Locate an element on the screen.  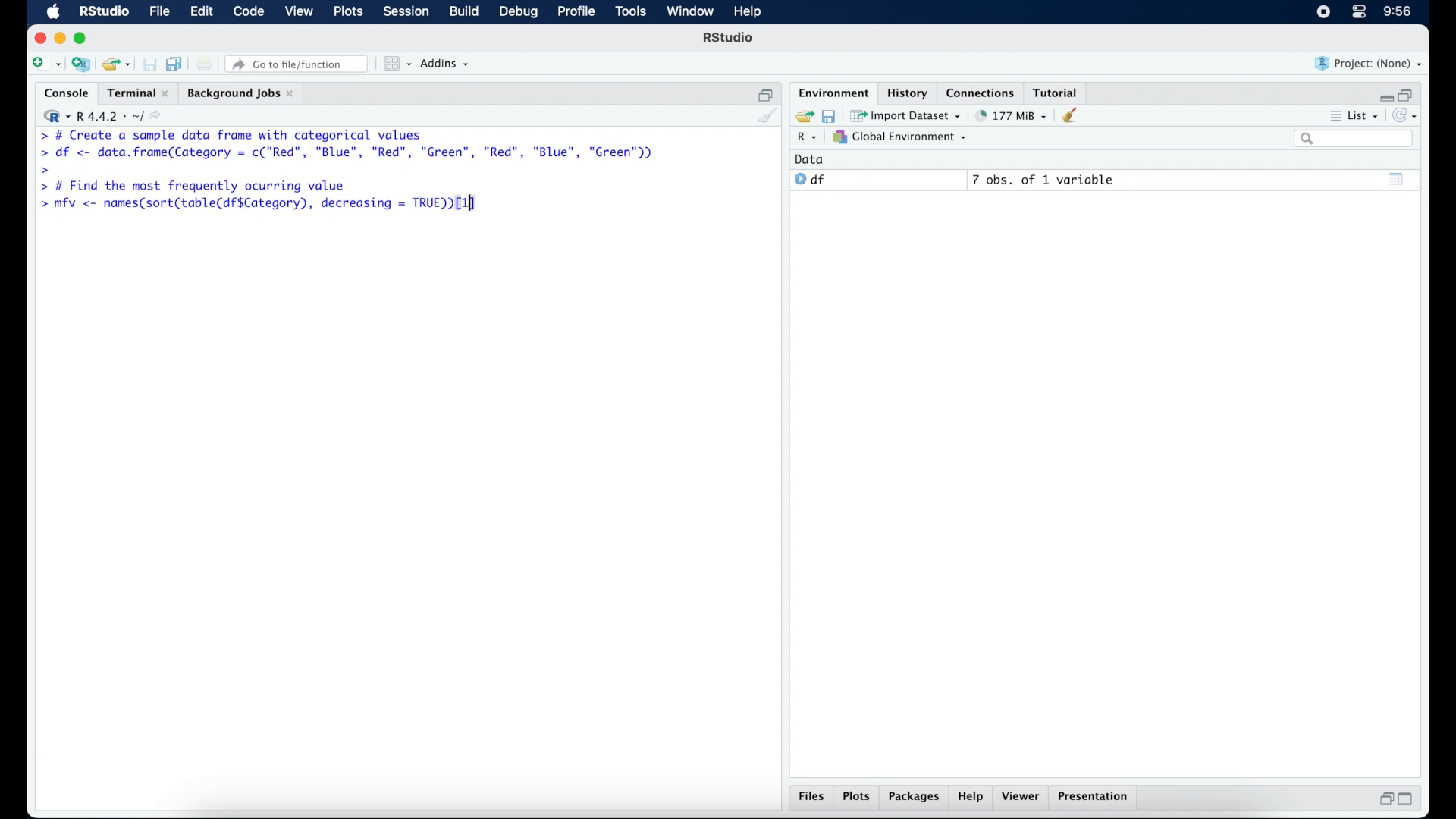
R is located at coordinates (810, 138).